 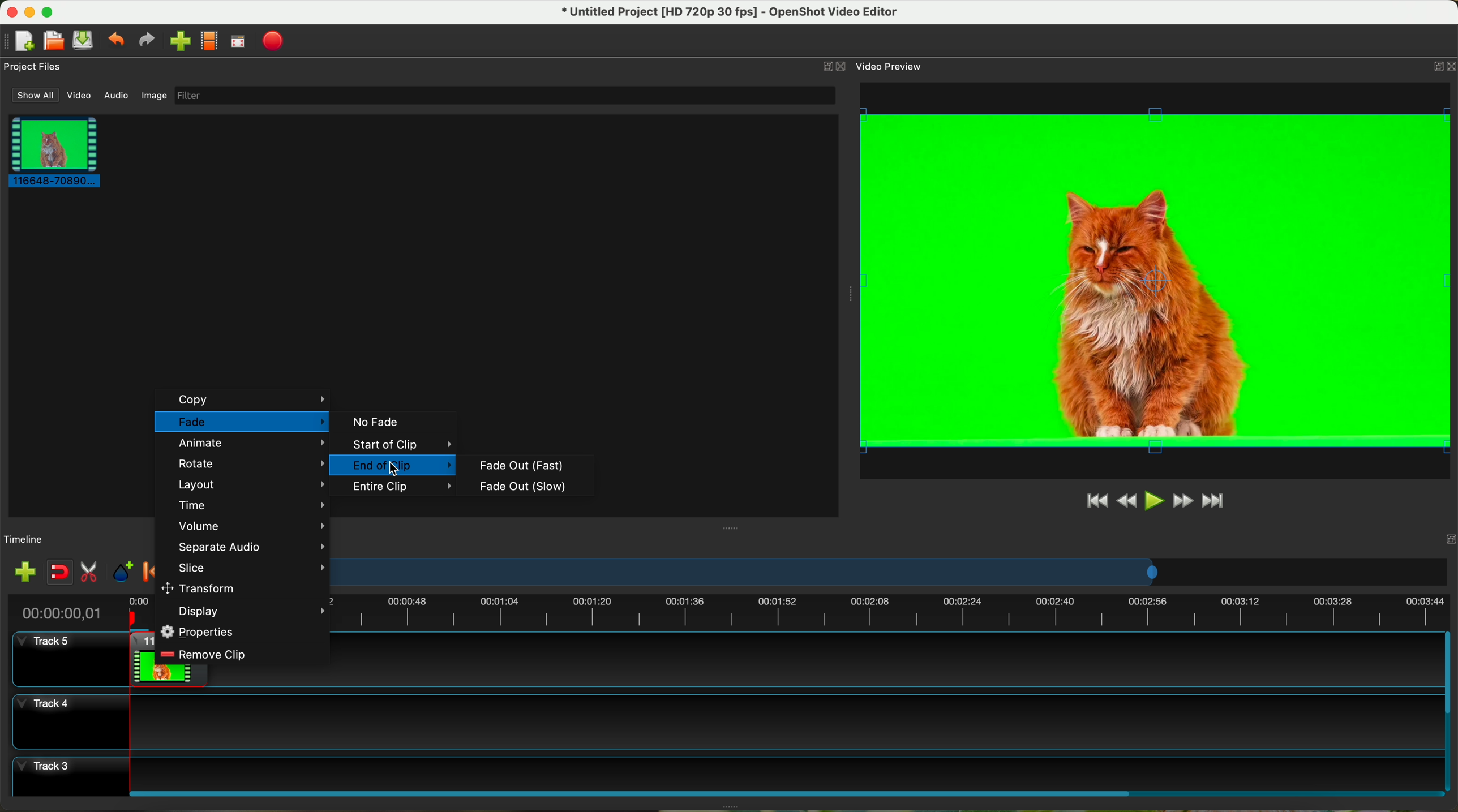 What do you see at coordinates (893, 572) in the screenshot?
I see `timeline` at bounding box center [893, 572].